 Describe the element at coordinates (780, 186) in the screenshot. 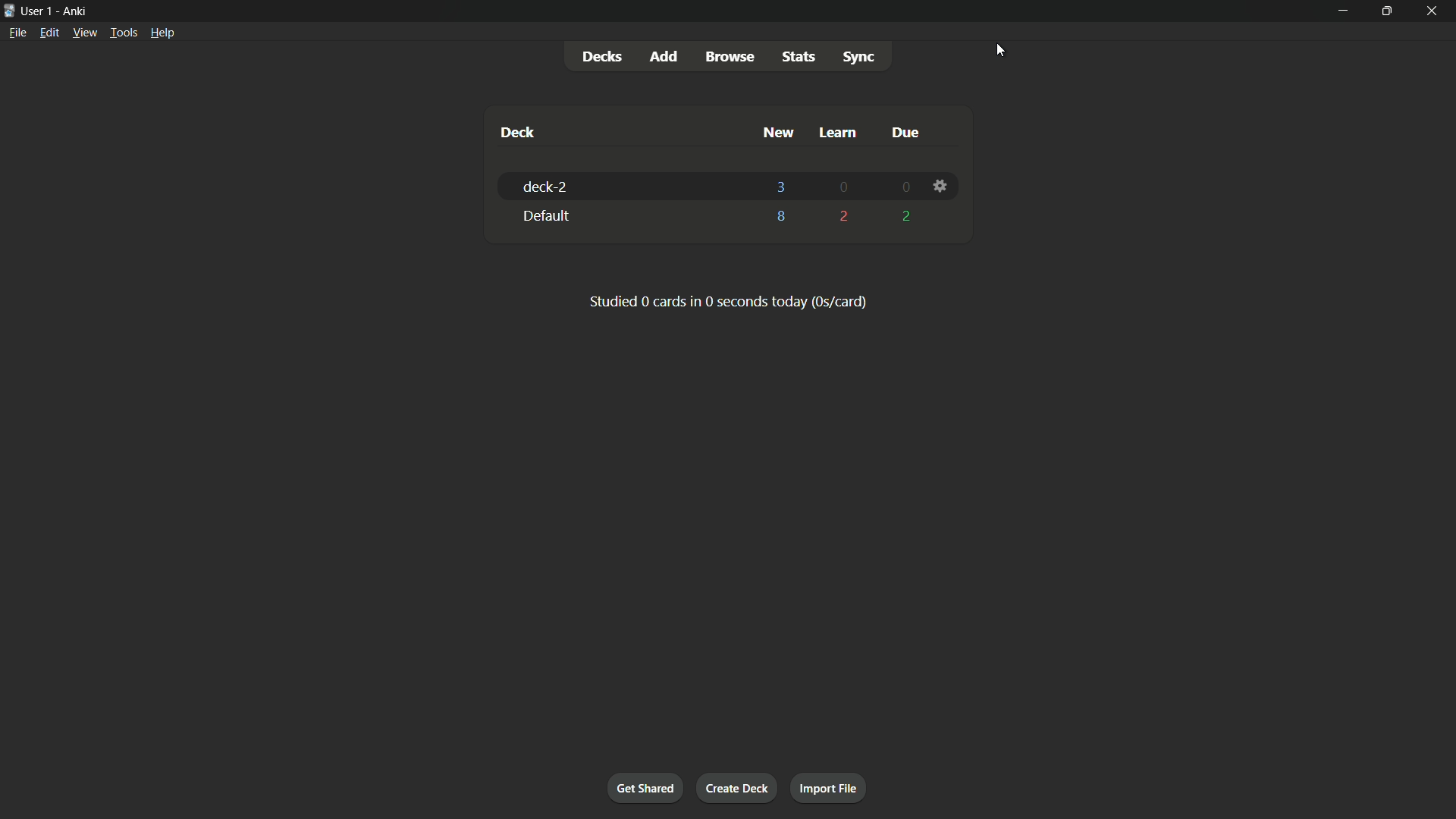

I see `3` at that location.